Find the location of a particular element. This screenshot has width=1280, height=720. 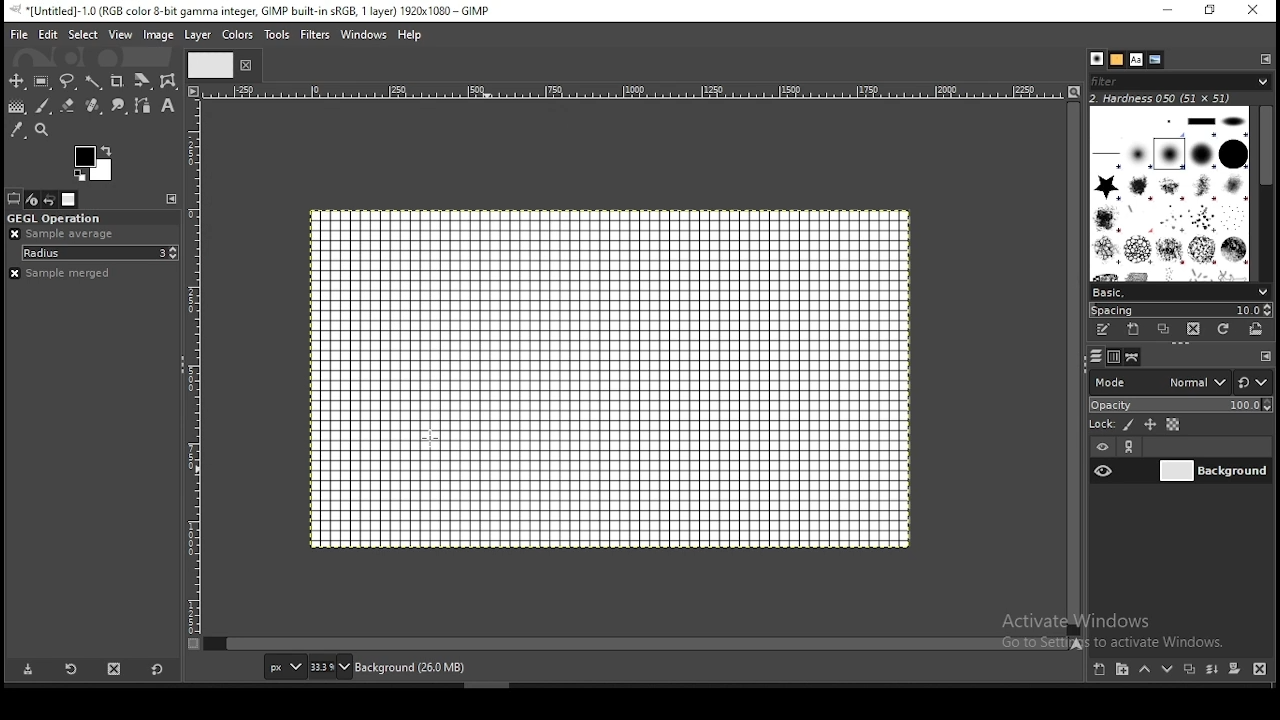

crop tool is located at coordinates (140, 82).